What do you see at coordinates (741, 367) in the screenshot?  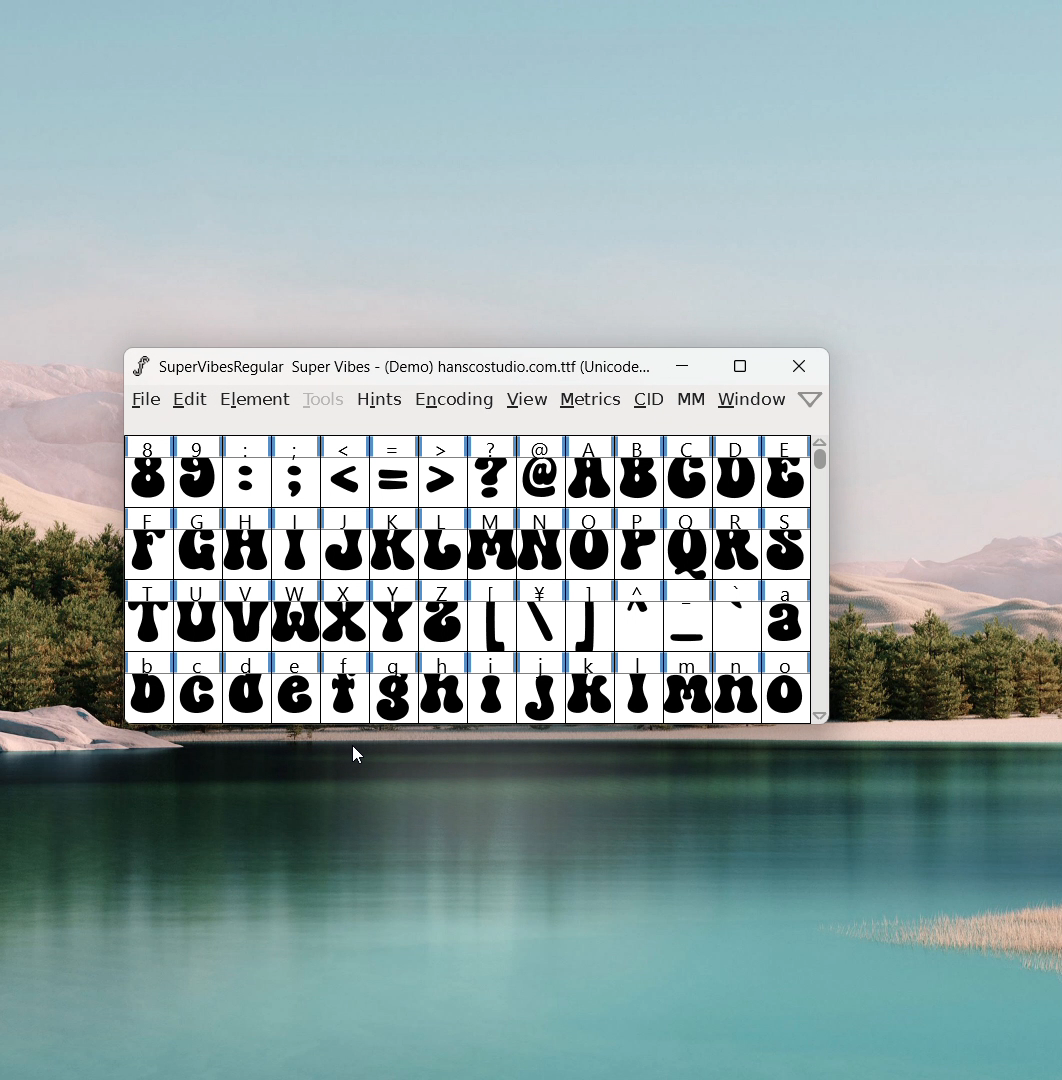 I see `maximize` at bounding box center [741, 367].